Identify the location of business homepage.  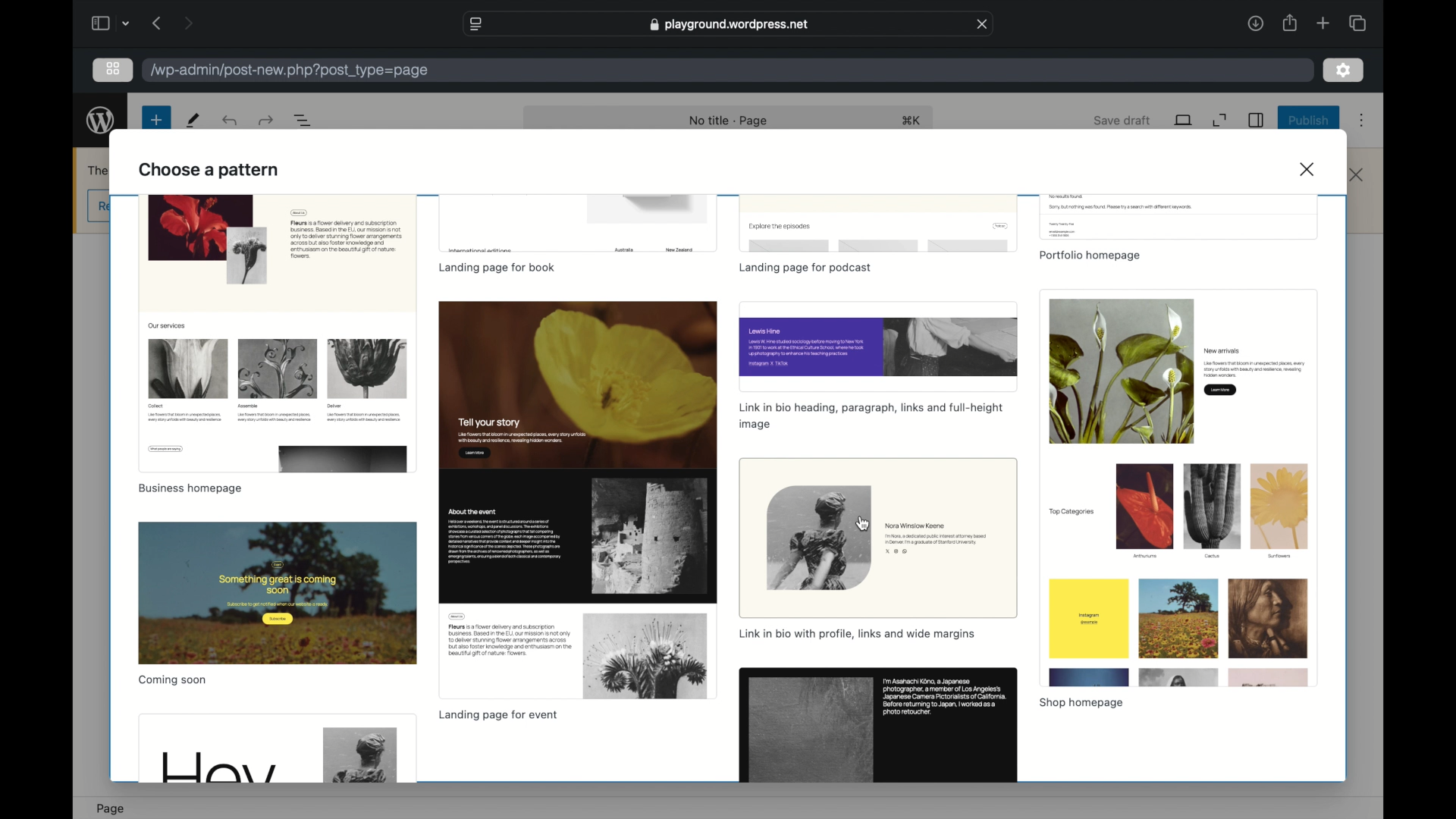
(190, 488).